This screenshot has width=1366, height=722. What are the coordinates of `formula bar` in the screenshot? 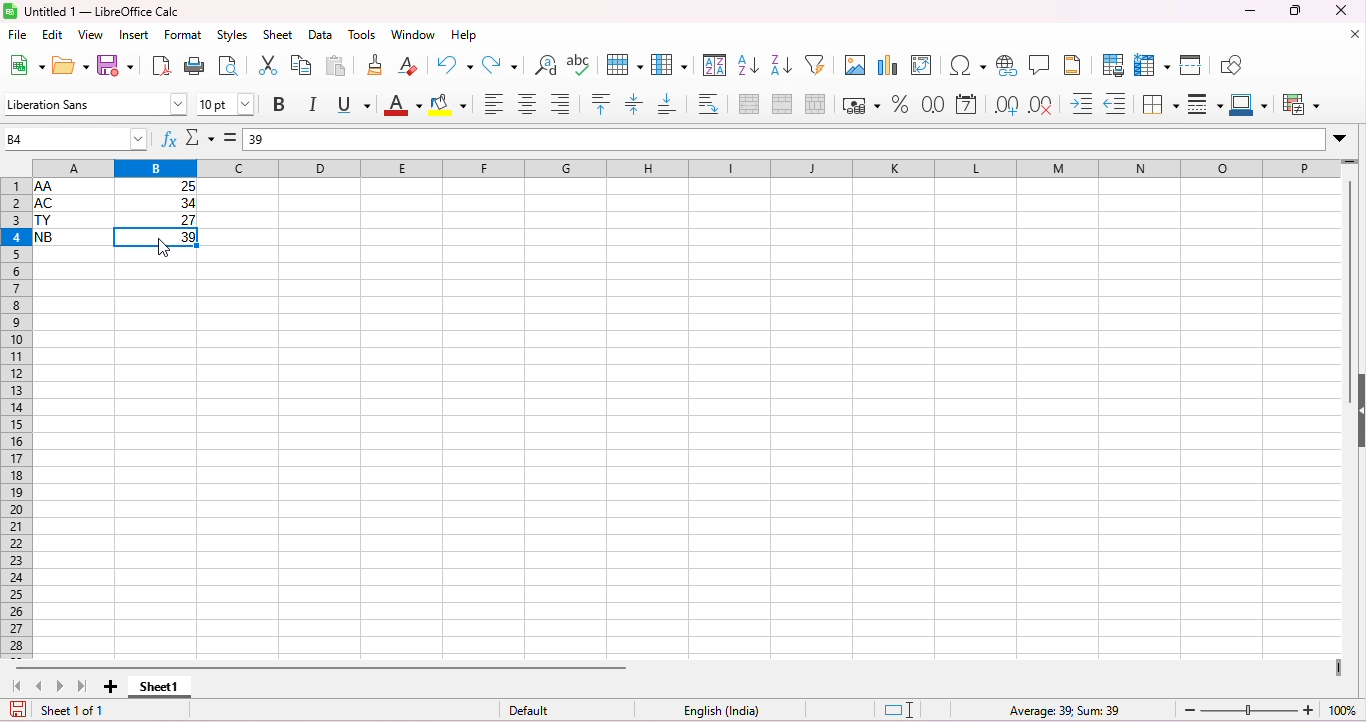 It's located at (784, 138).